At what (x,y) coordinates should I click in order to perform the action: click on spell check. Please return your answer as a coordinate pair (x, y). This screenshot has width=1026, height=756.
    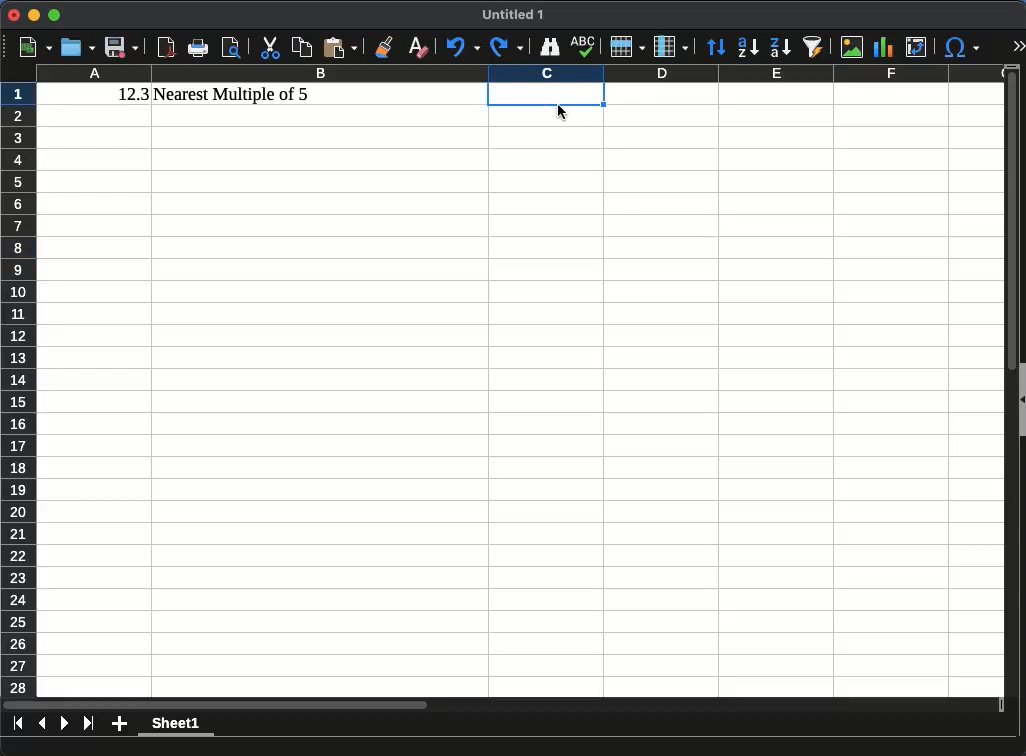
    Looking at the image, I should click on (583, 45).